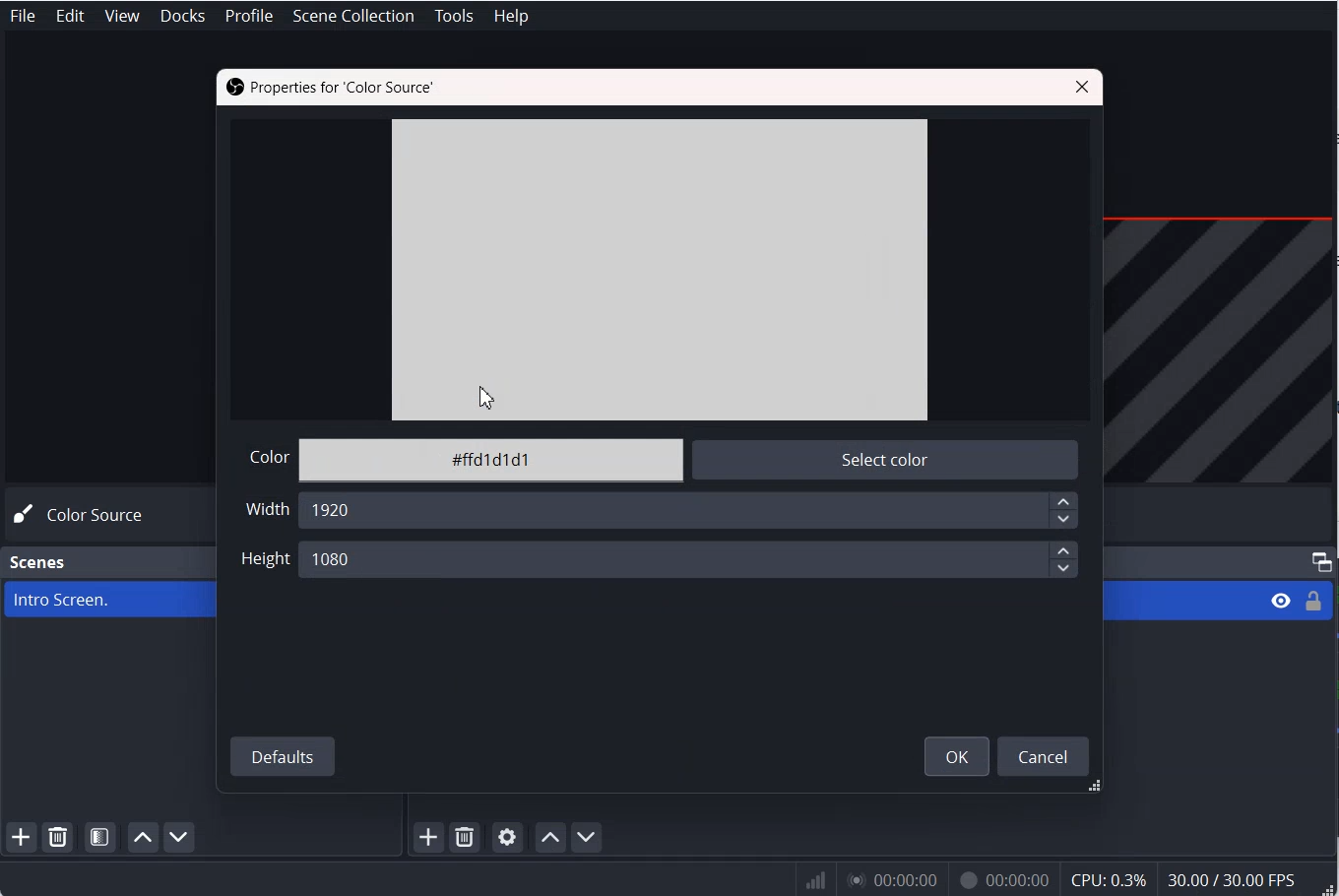 The image size is (1339, 896). Describe the element at coordinates (328, 86) in the screenshot. I see `Text ` at that location.